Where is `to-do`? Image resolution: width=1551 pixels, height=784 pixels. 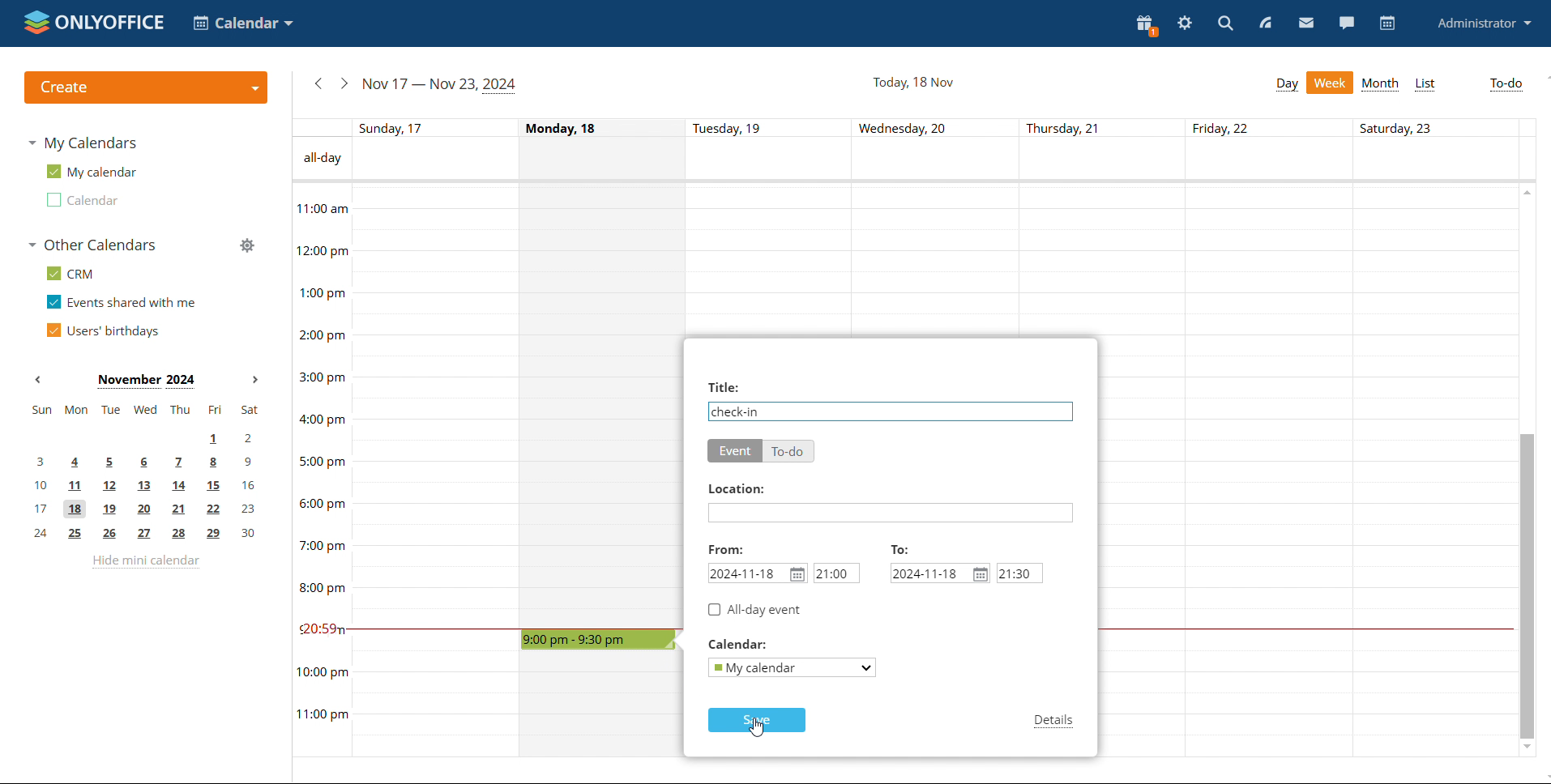
to-do is located at coordinates (790, 451).